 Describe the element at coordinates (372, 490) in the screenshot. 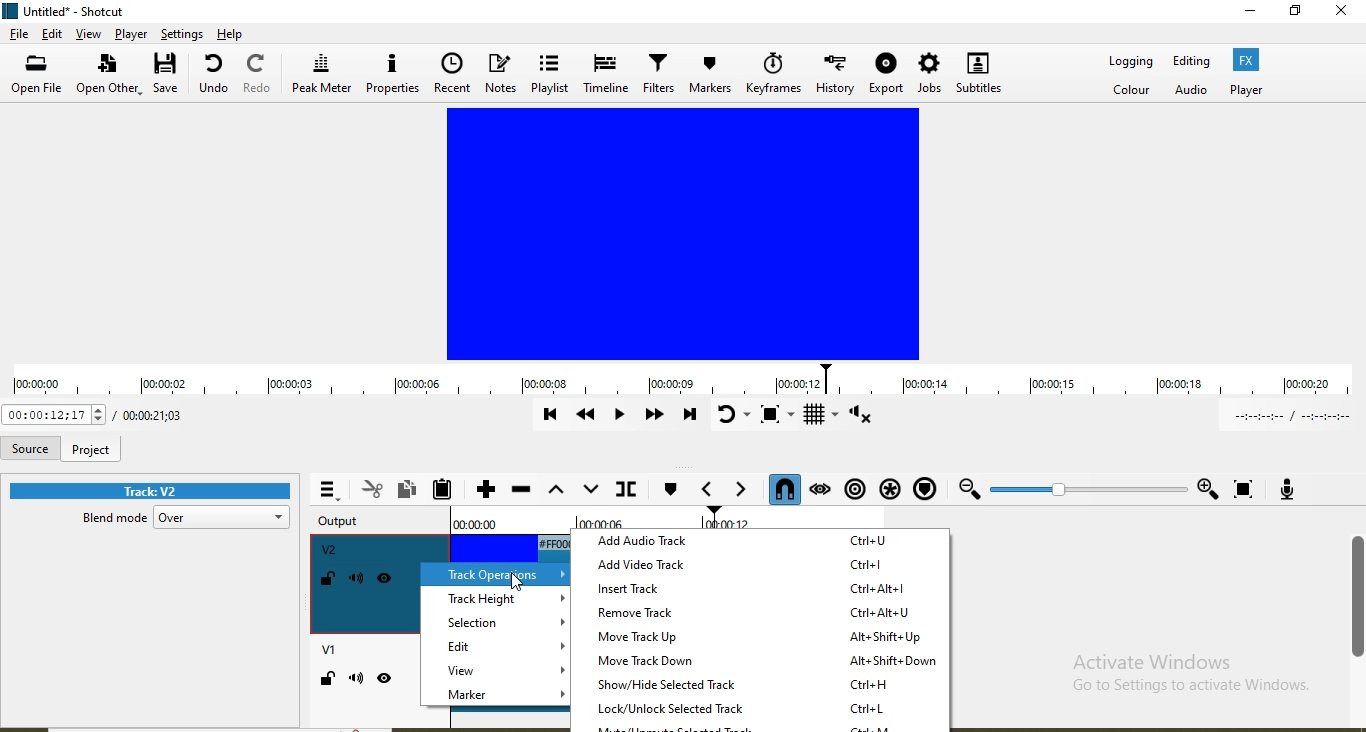

I see `Cut` at that location.